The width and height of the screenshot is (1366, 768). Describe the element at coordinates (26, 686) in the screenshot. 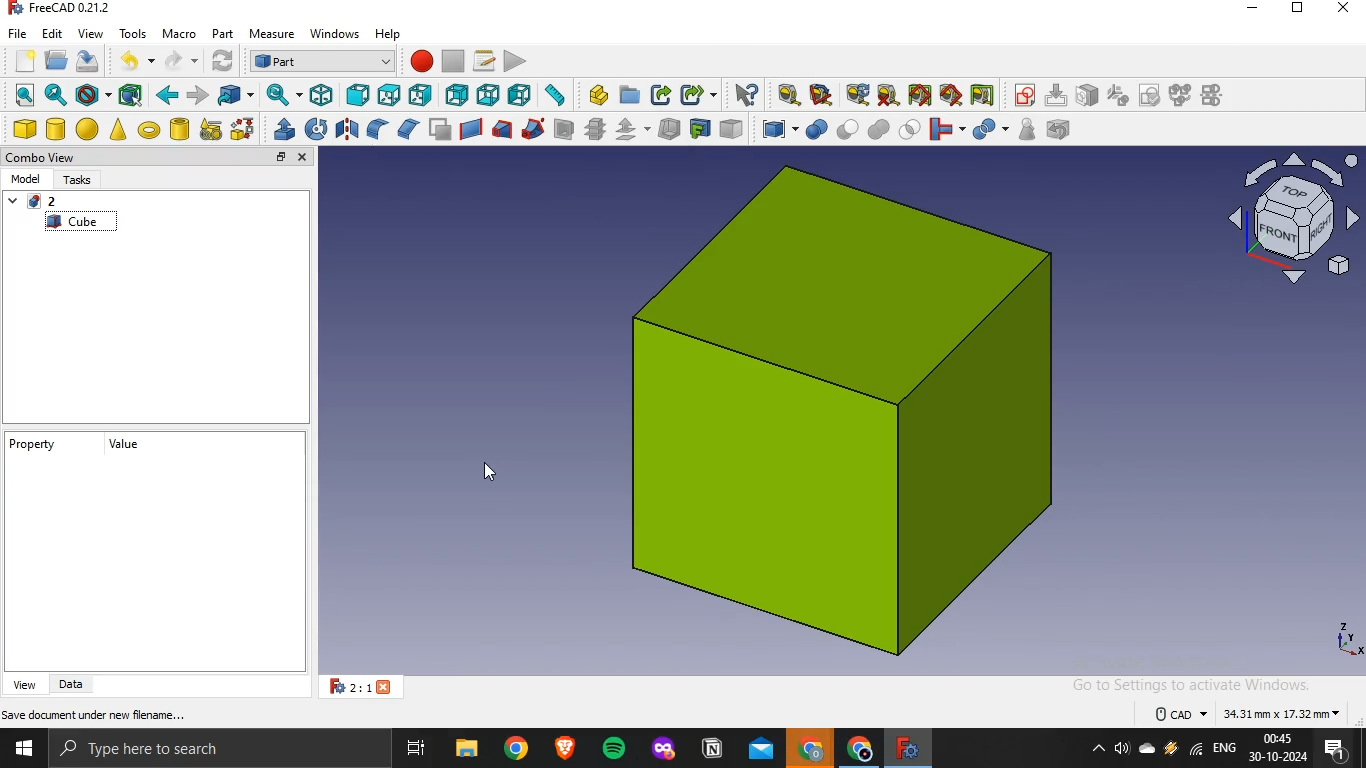

I see `view` at that location.